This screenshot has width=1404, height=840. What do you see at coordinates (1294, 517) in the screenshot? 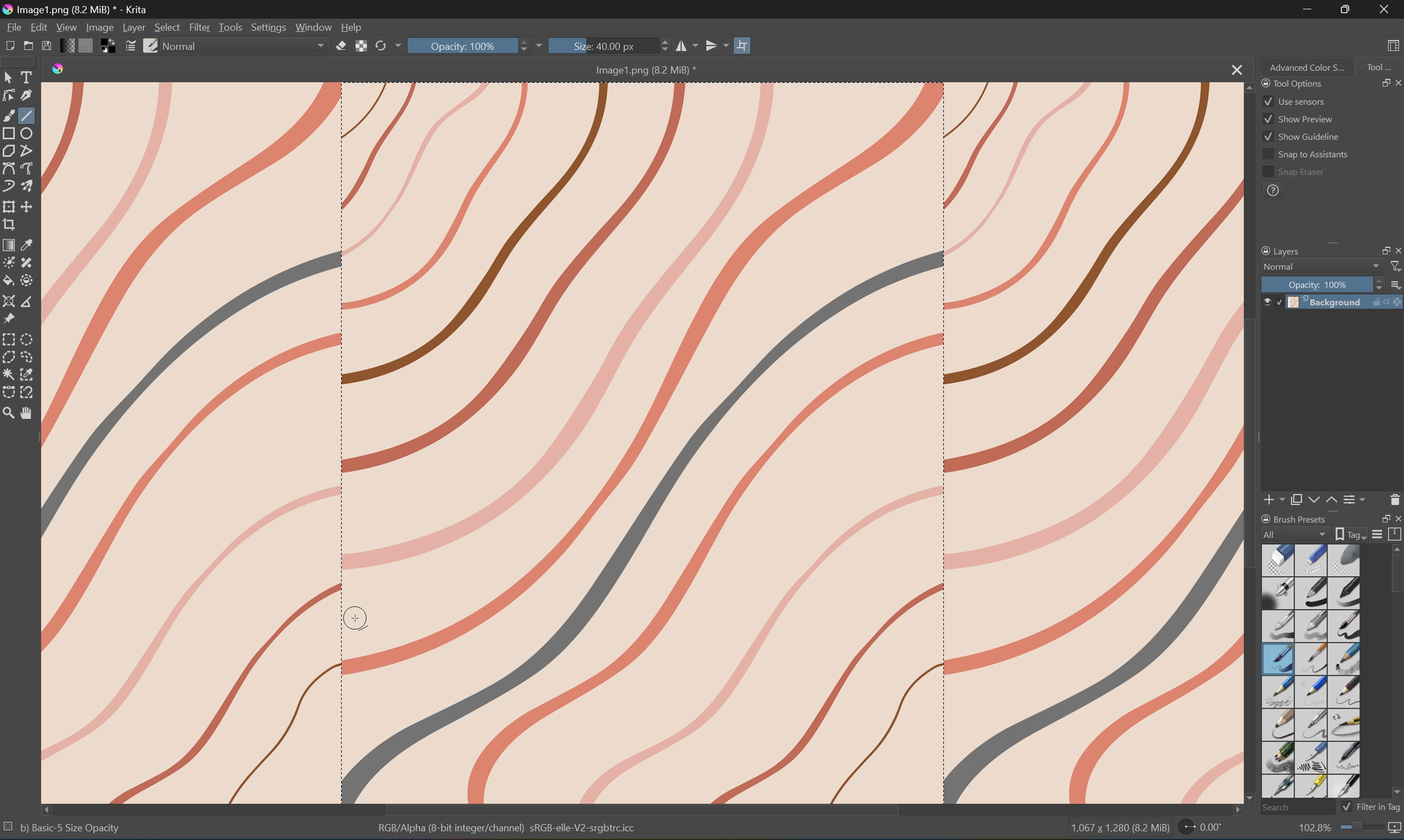
I see `Brush Preset` at bounding box center [1294, 517].